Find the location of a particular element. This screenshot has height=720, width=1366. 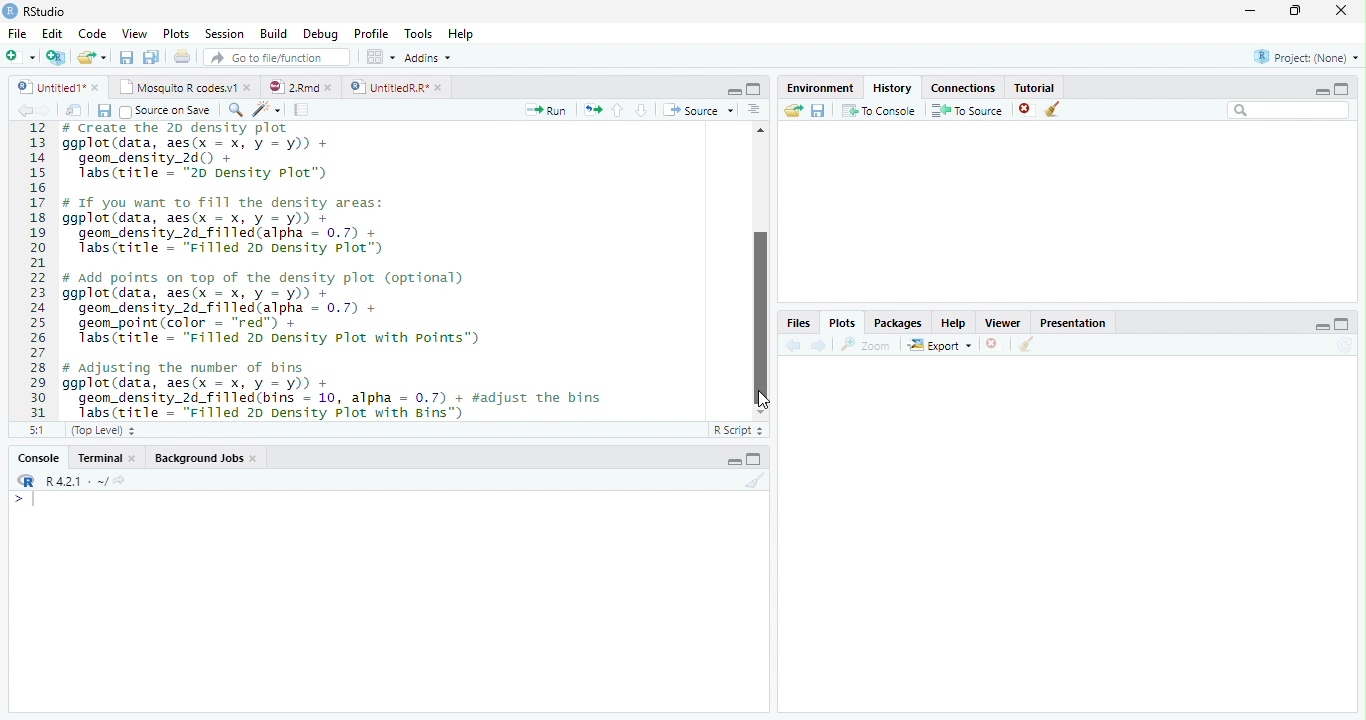

wrokspace pan is located at coordinates (379, 57).